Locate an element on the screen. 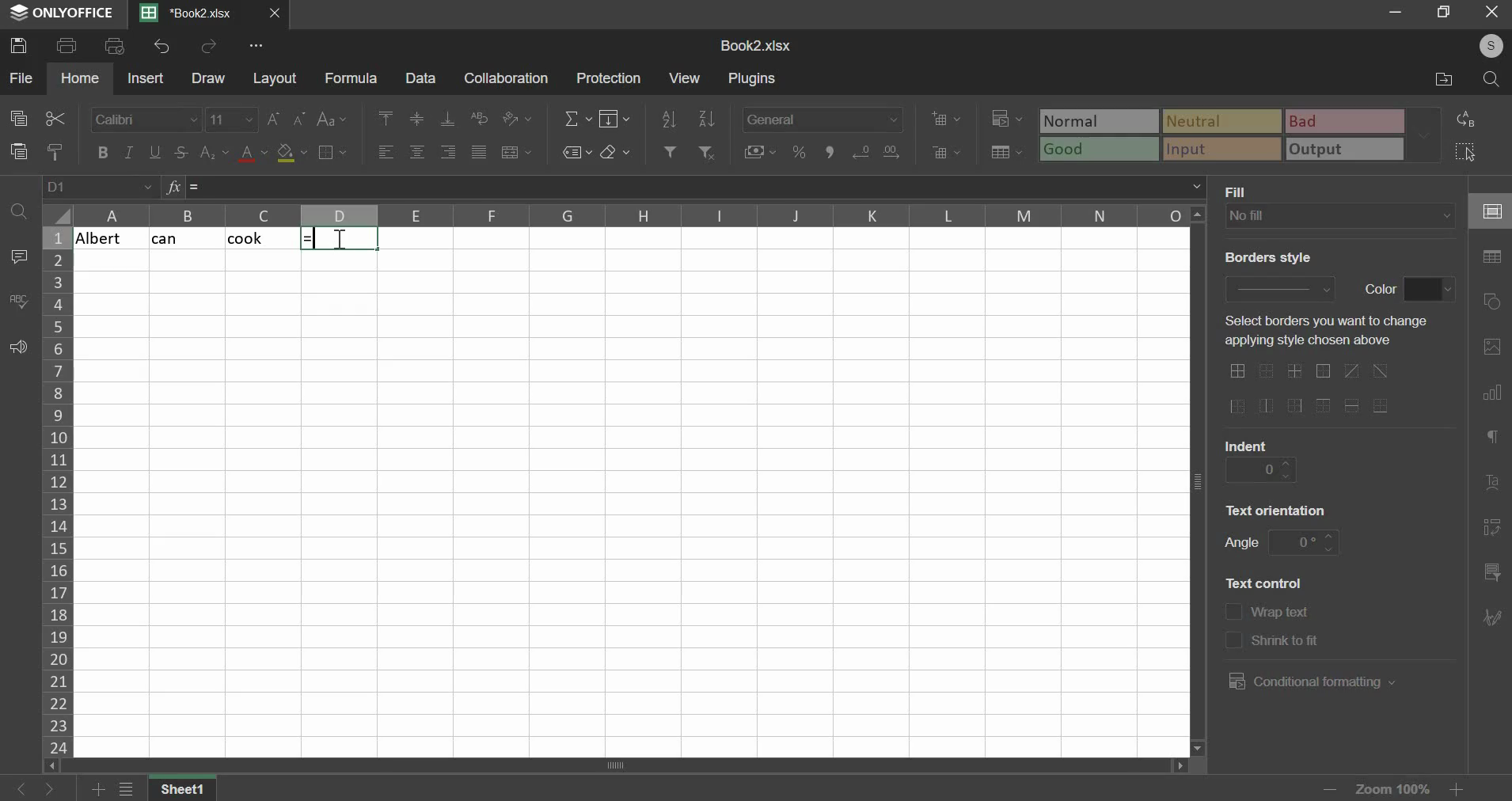  text is located at coordinates (1287, 643).